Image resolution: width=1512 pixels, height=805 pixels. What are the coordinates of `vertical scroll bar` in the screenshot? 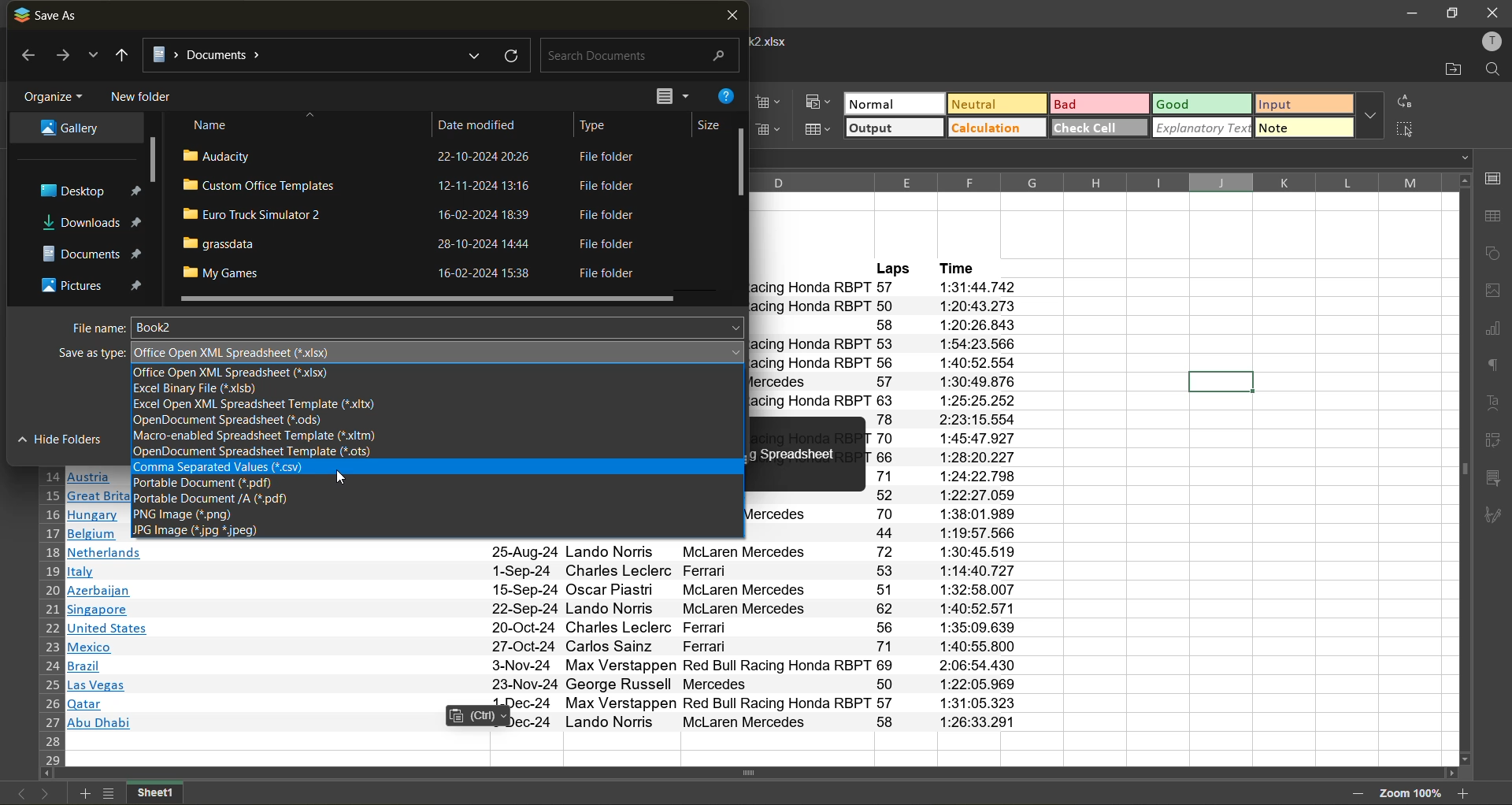 It's located at (152, 161).